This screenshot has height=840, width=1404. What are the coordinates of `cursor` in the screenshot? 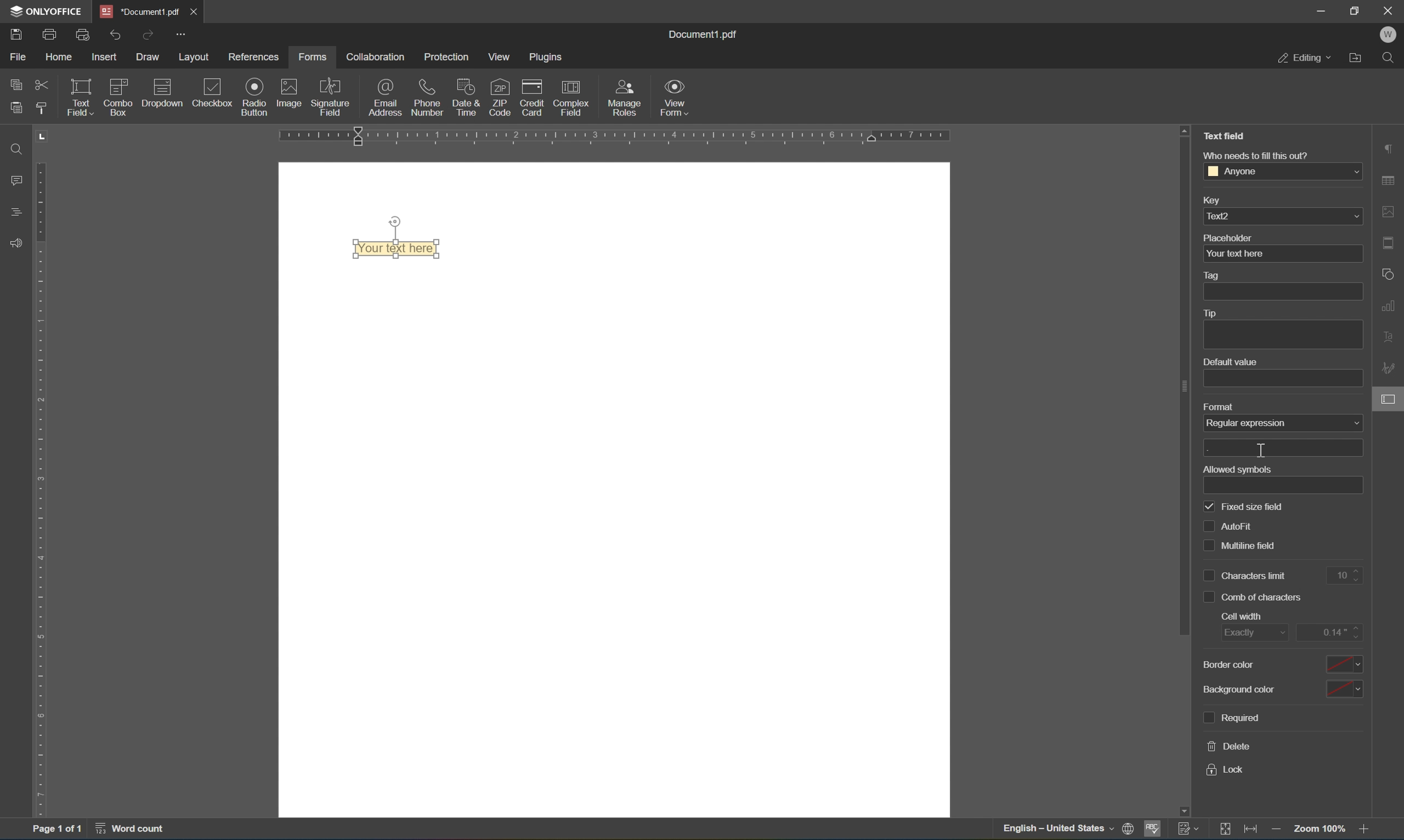 It's located at (1262, 449).